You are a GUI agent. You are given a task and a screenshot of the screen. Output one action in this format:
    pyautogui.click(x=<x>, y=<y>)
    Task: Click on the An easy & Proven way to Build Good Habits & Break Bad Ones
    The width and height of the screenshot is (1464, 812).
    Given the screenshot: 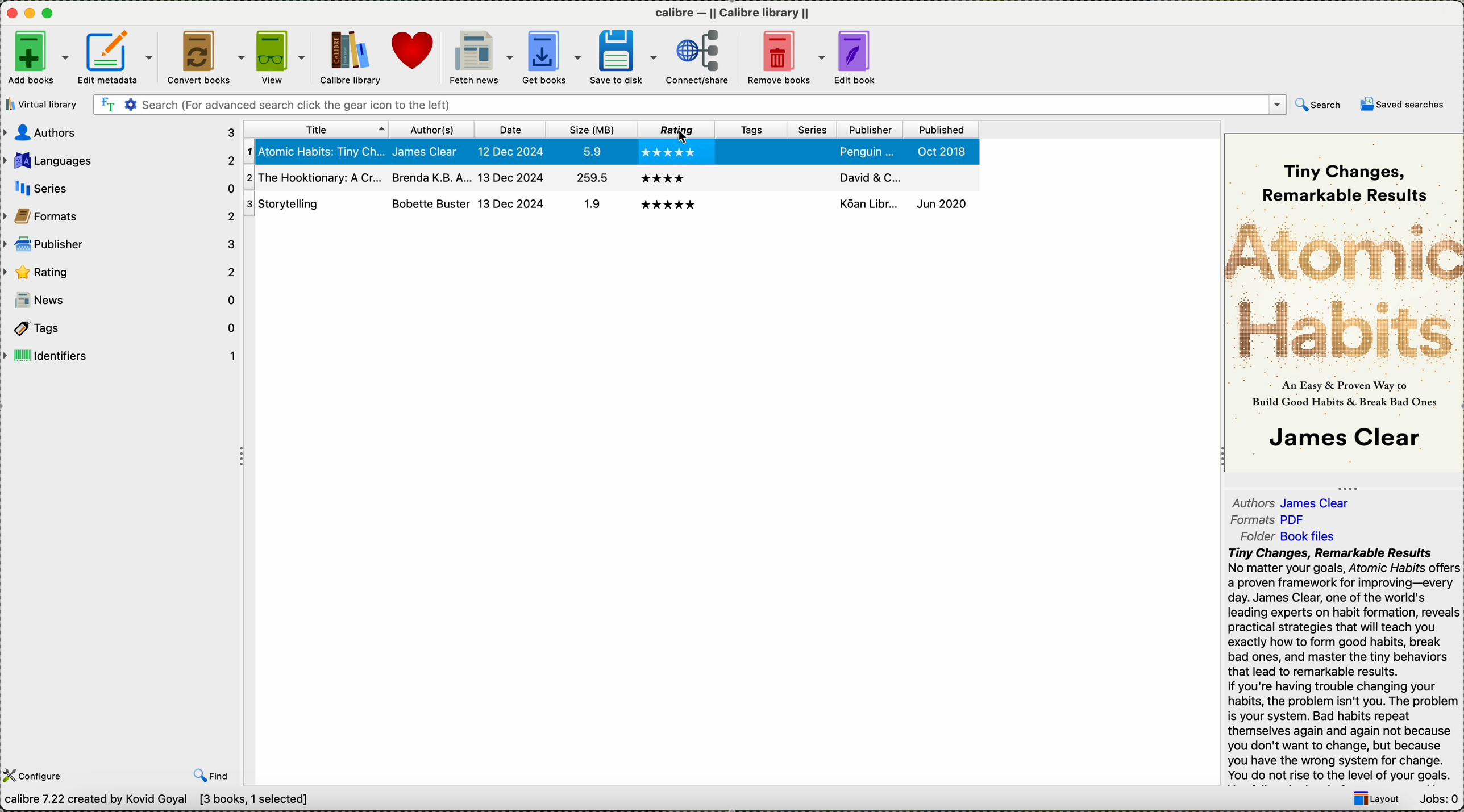 What is the action you would take?
    pyautogui.click(x=1346, y=392)
    